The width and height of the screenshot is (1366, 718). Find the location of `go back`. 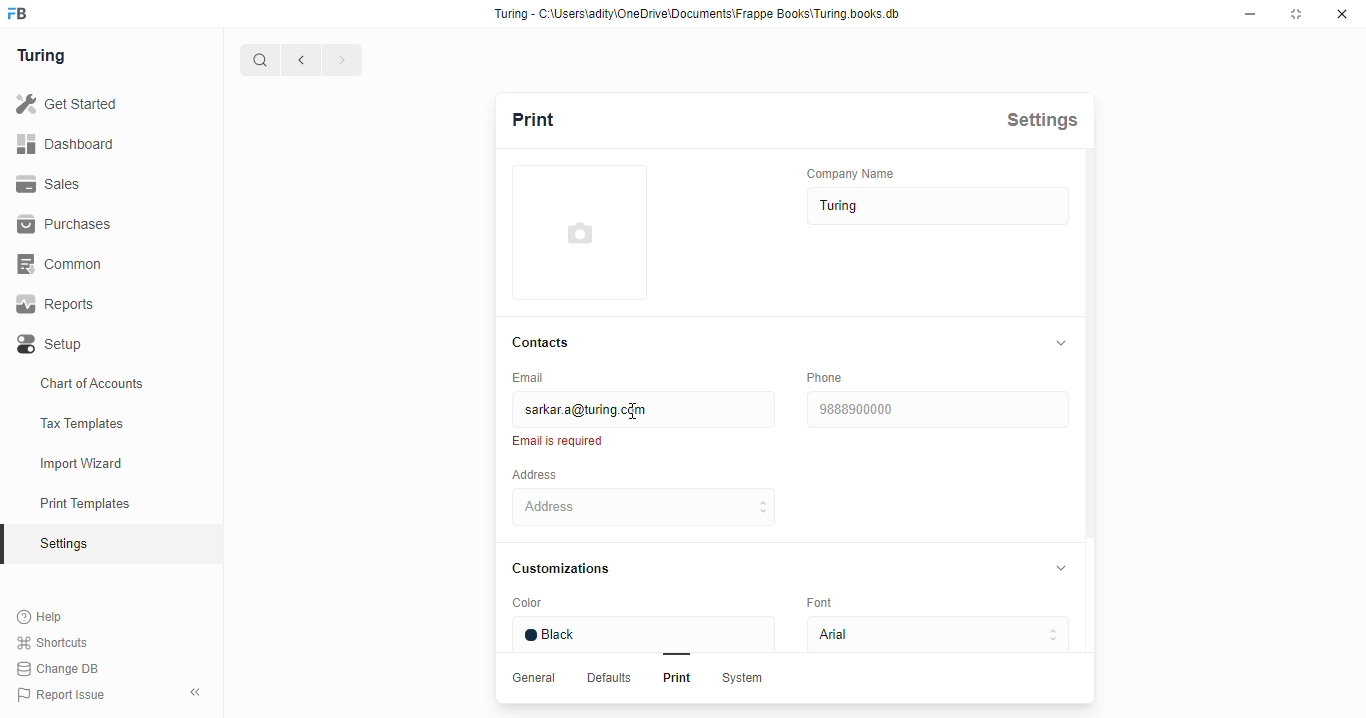

go back is located at coordinates (301, 58).